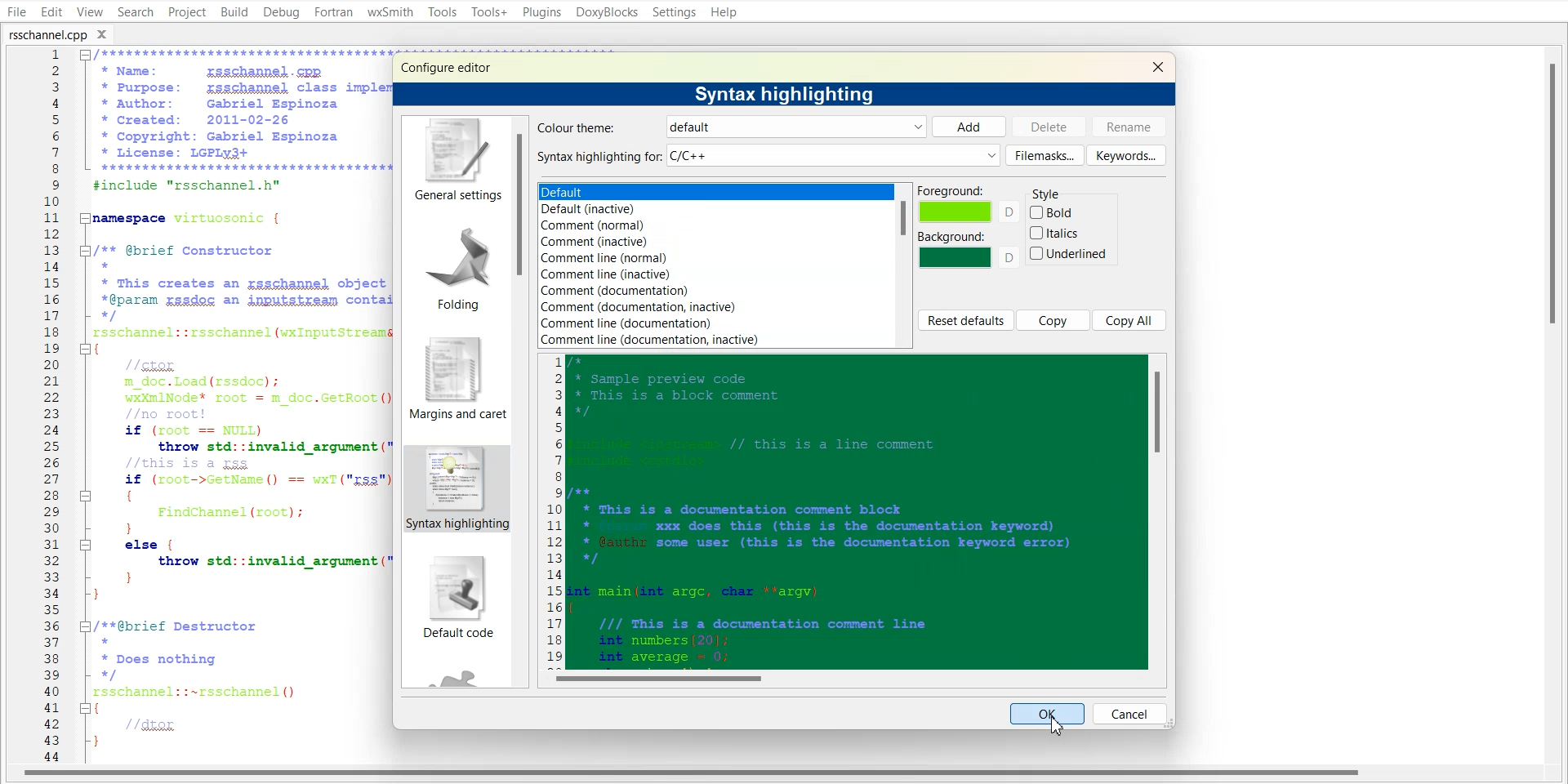 The height and width of the screenshot is (784, 1568). What do you see at coordinates (675, 11) in the screenshot?
I see `Settings` at bounding box center [675, 11].